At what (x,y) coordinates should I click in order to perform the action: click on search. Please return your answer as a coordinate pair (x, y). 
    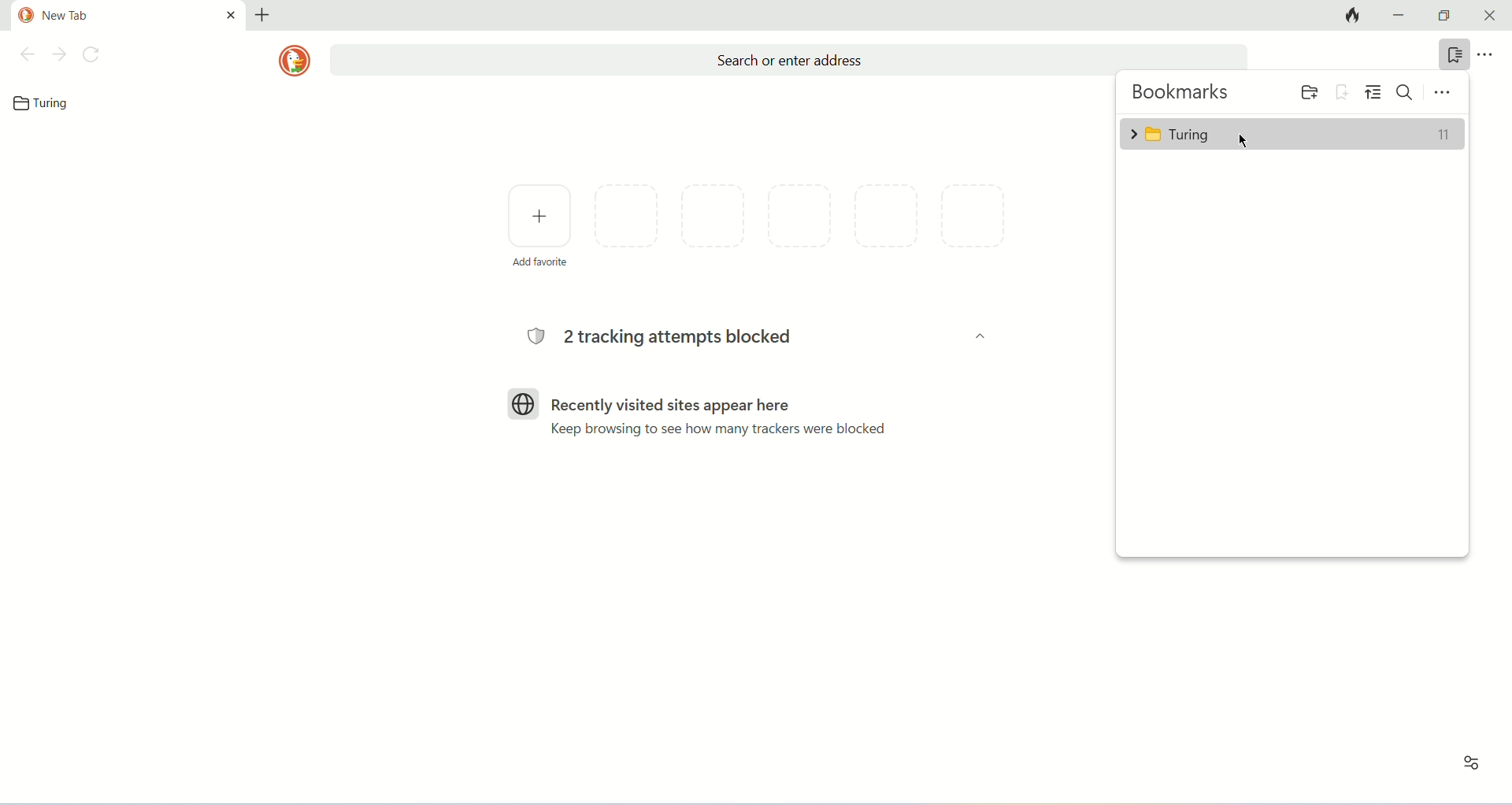
    Looking at the image, I should click on (1407, 91).